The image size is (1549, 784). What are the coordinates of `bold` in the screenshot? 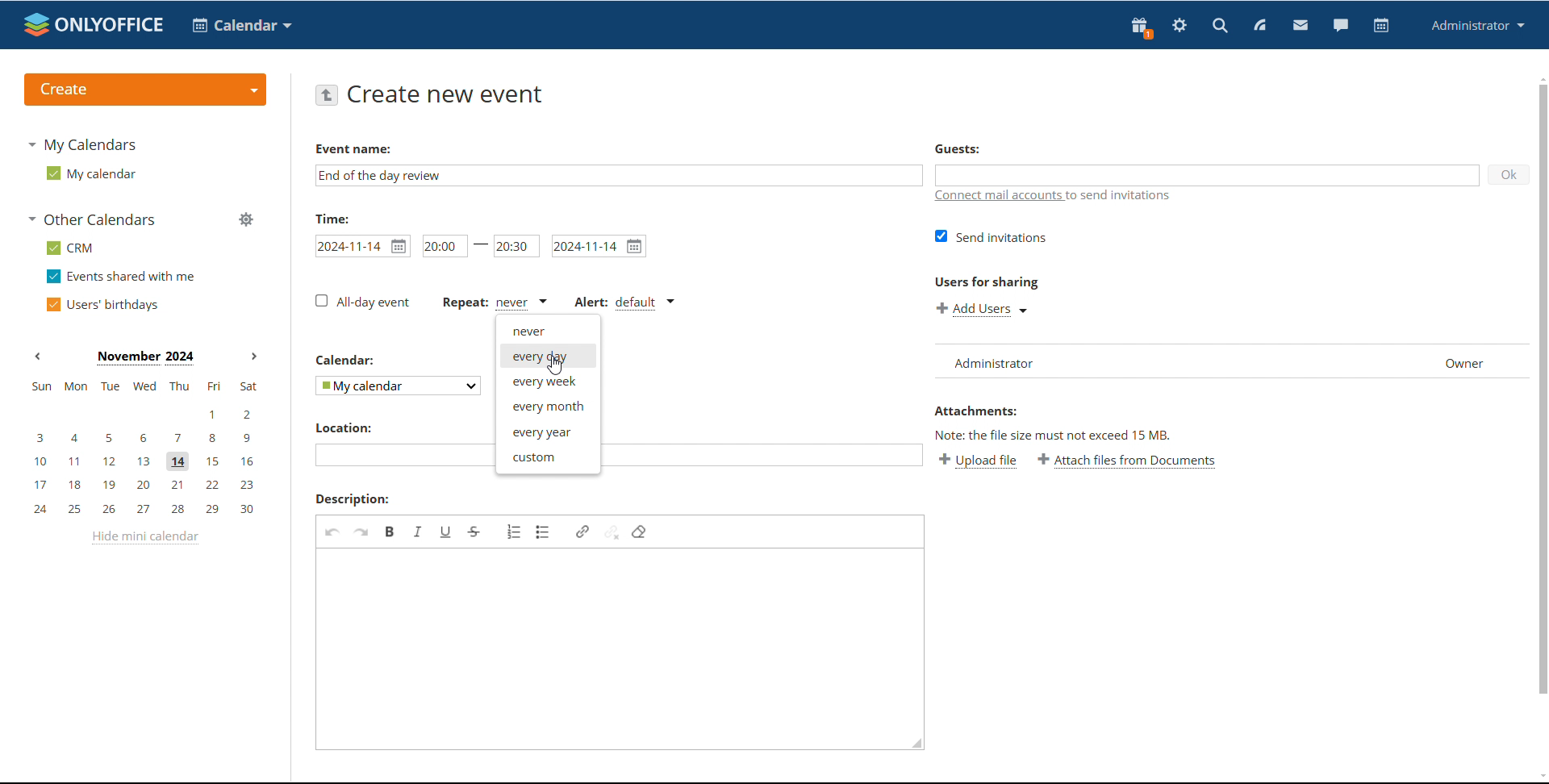 It's located at (390, 531).